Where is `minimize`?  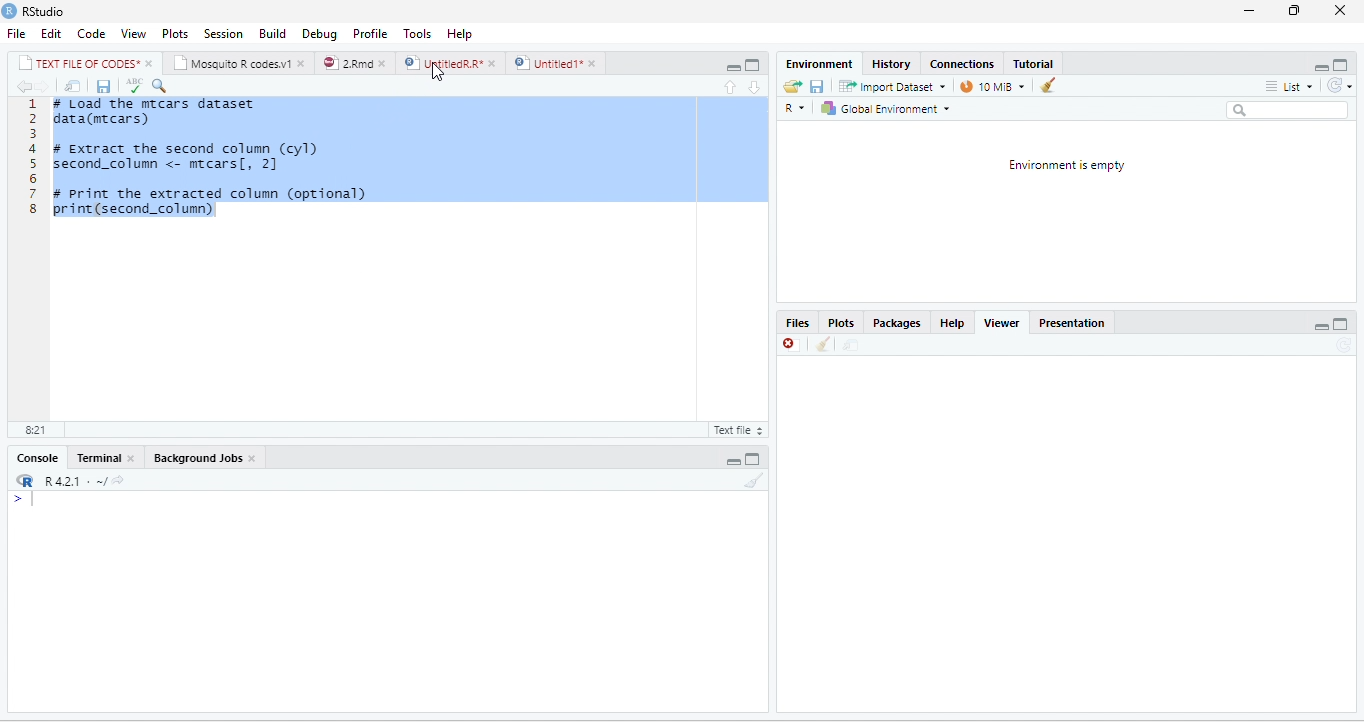 minimize is located at coordinates (735, 457).